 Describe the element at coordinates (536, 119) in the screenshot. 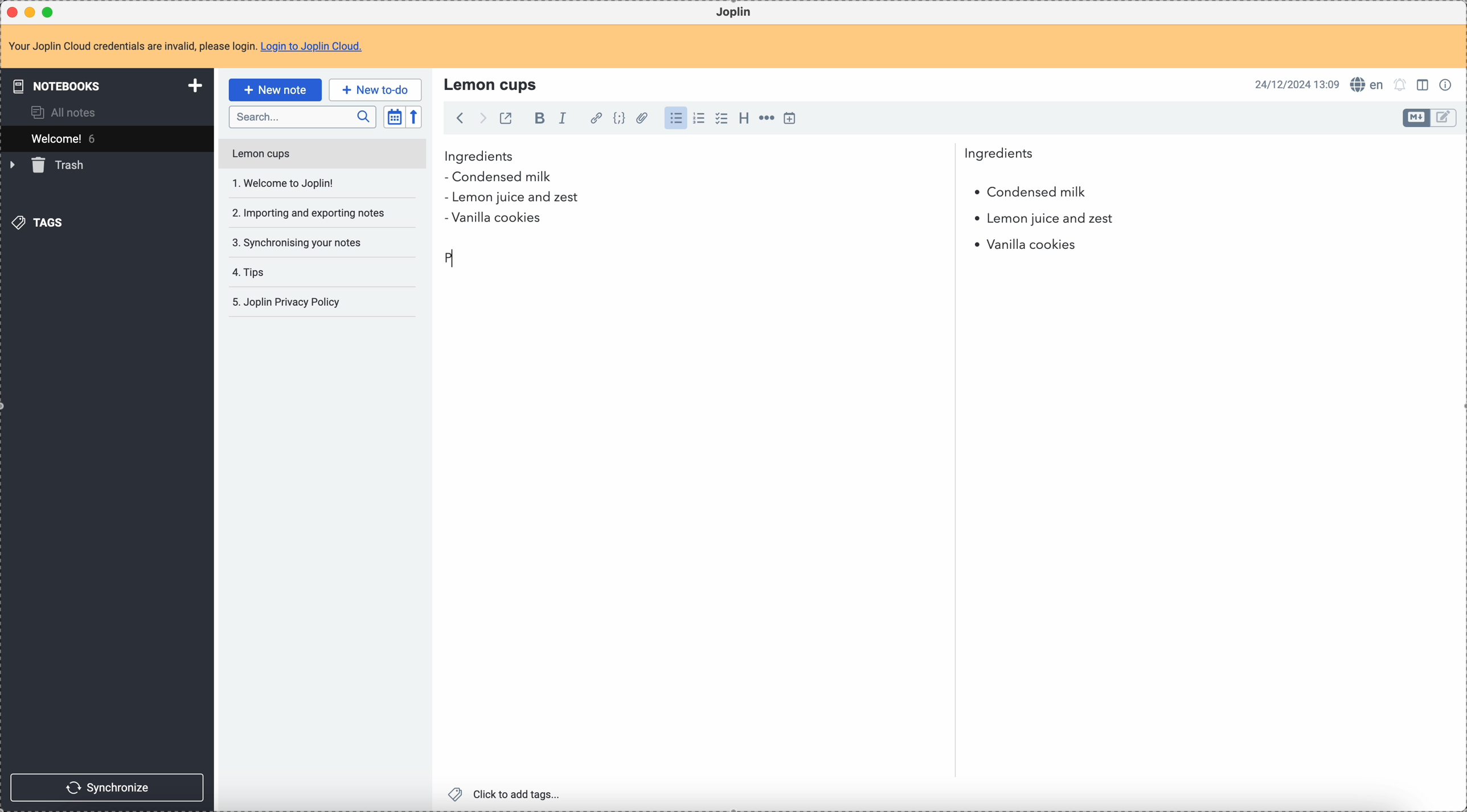

I see `bold` at that location.